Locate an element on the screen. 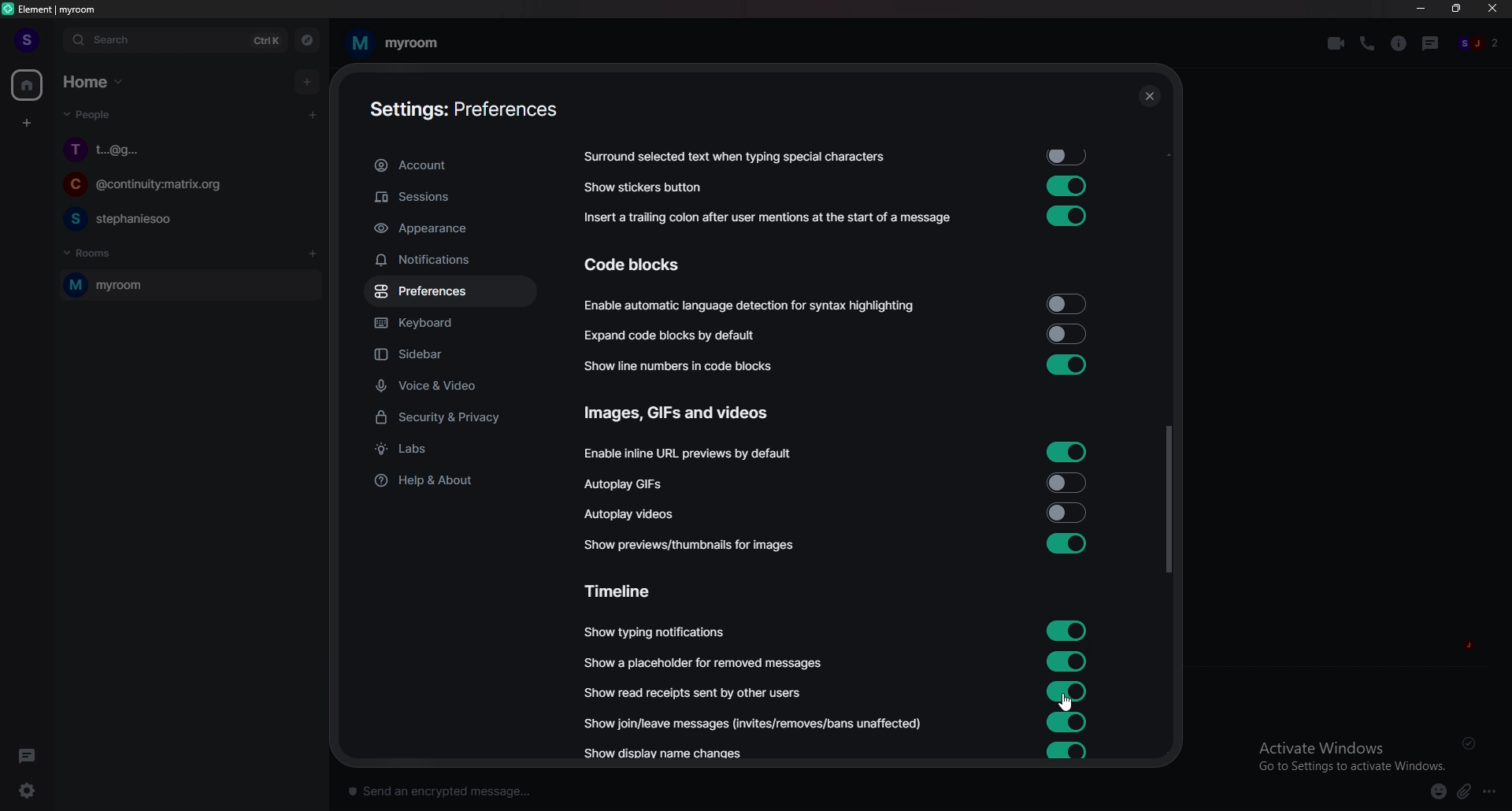 This screenshot has width=1512, height=811. toggle is located at coordinates (1068, 751).